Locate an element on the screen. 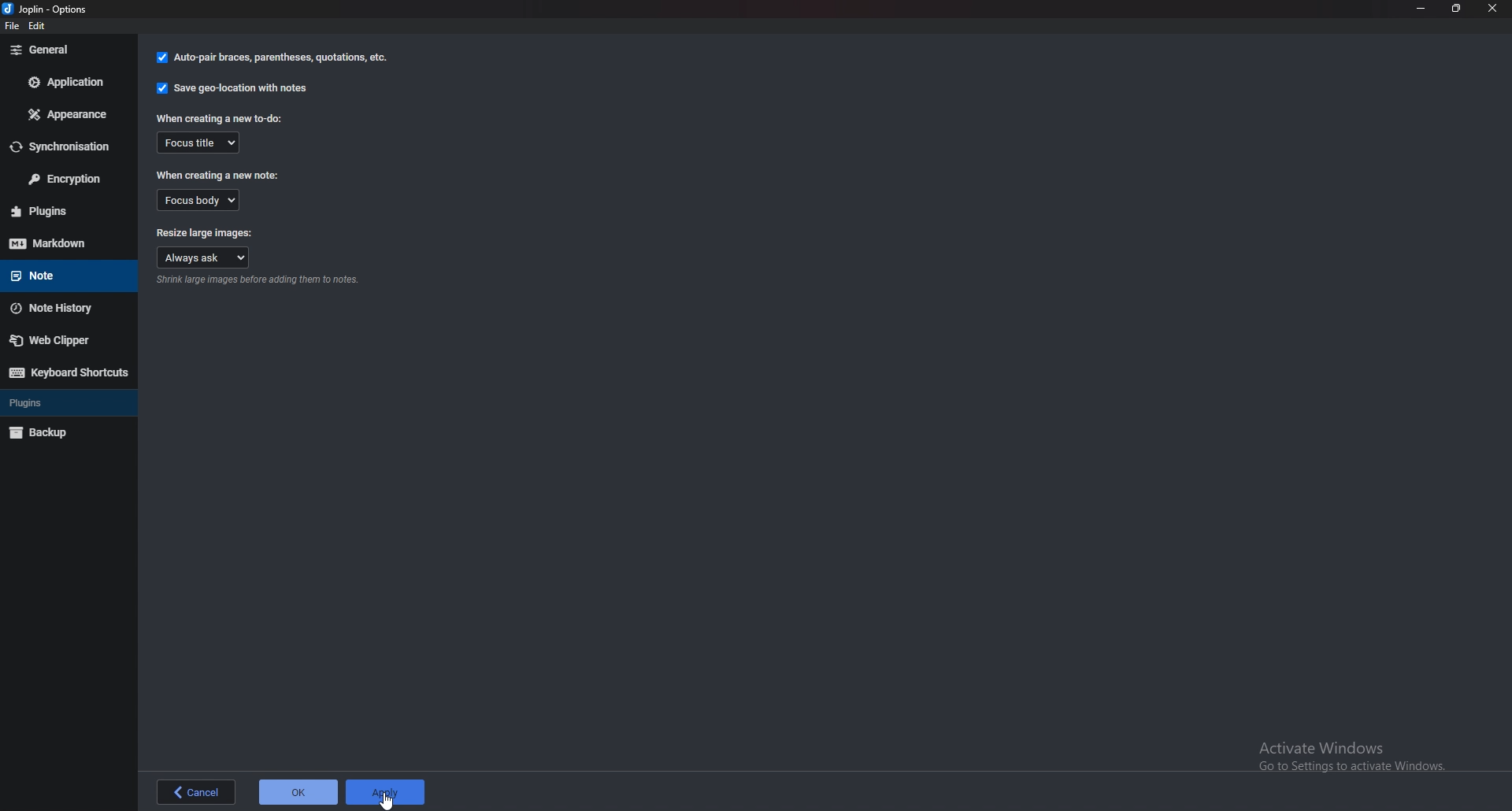 This screenshot has height=811, width=1512. Web Clipper is located at coordinates (67, 339).